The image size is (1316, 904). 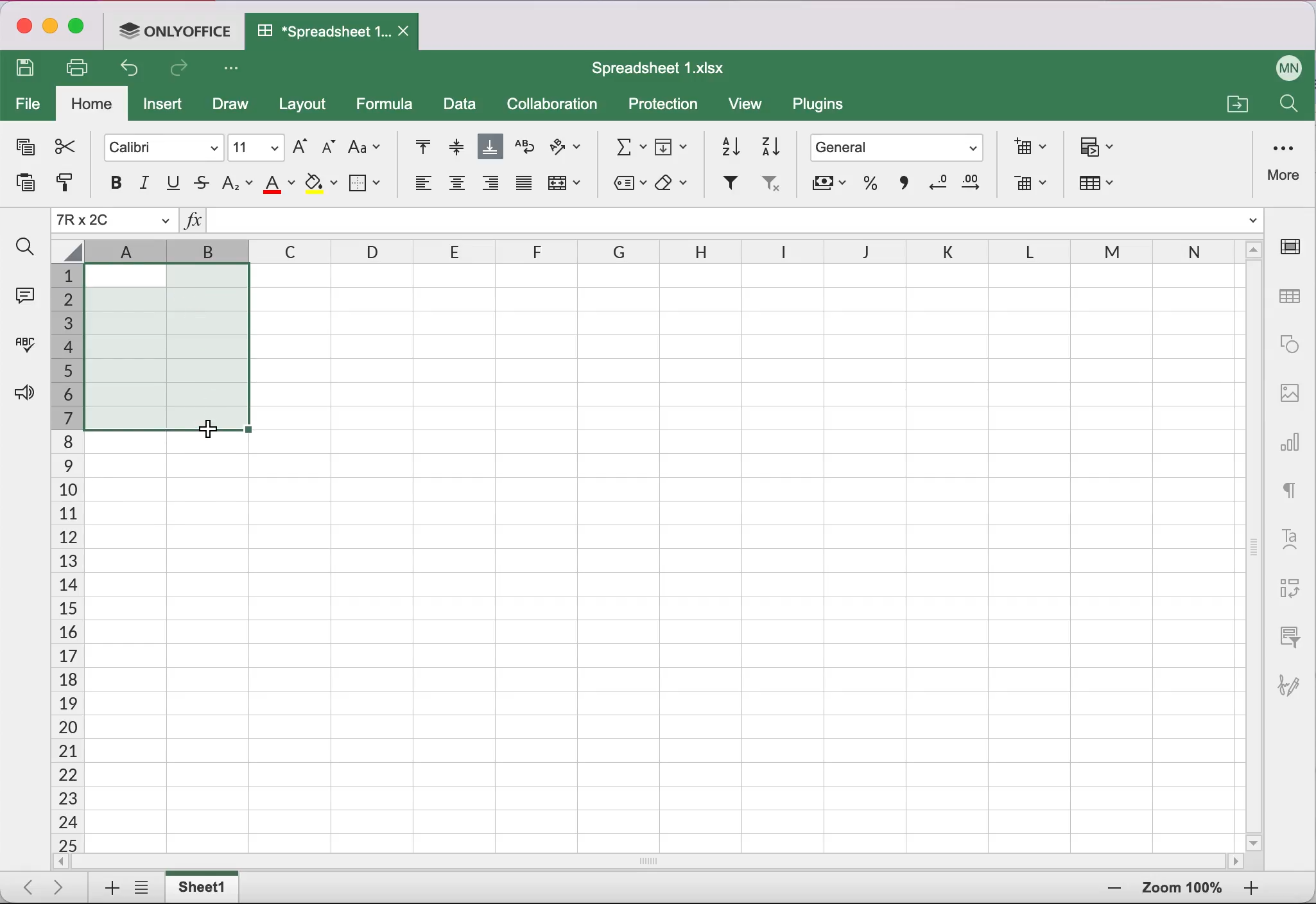 What do you see at coordinates (109, 182) in the screenshot?
I see `bold` at bounding box center [109, 182].